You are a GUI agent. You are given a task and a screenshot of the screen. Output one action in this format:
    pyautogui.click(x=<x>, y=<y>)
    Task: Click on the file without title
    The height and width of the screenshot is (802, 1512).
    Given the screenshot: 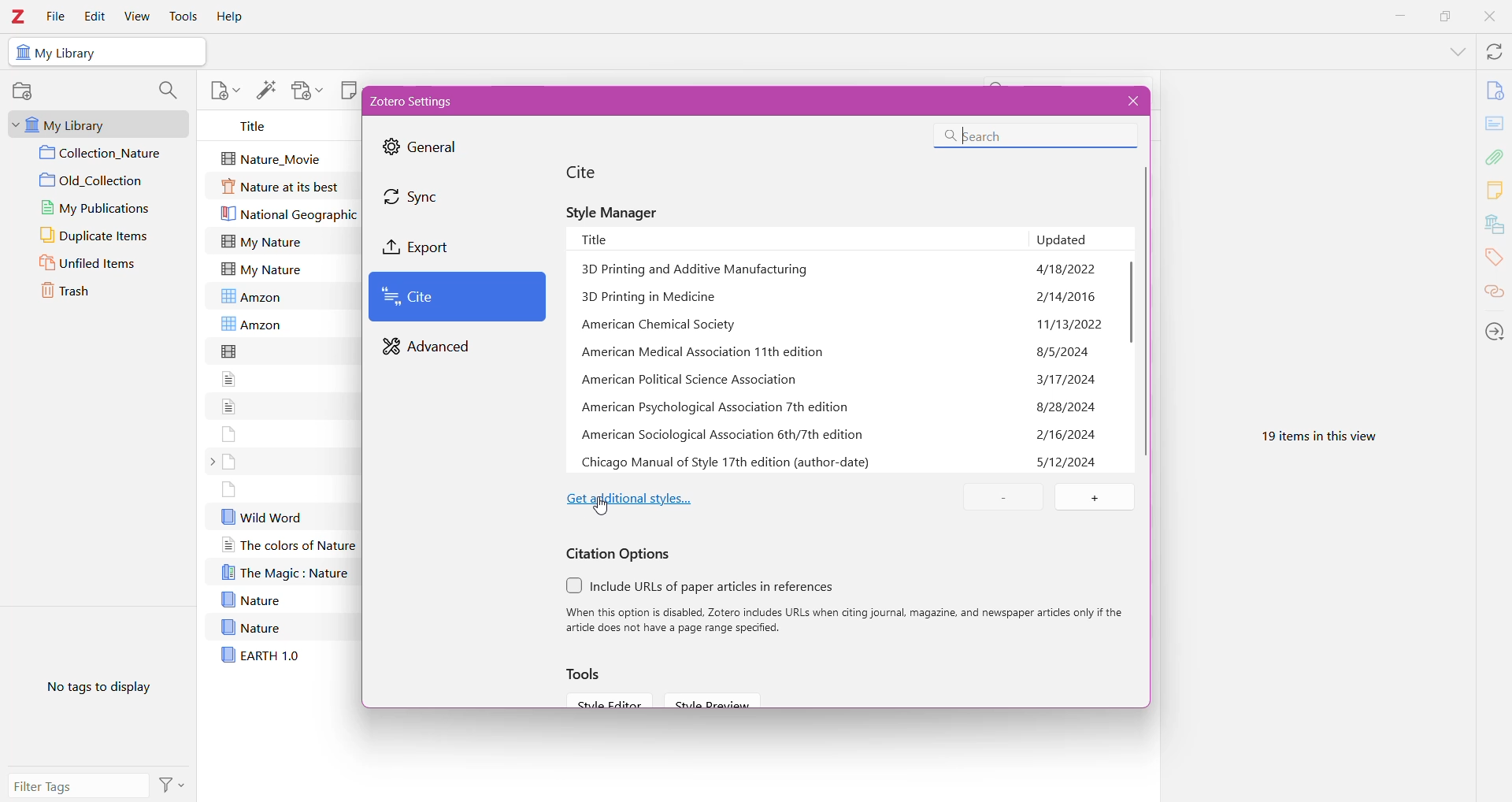 What is the action you would take?
    pyautogui.click(x=229, y=405)
    